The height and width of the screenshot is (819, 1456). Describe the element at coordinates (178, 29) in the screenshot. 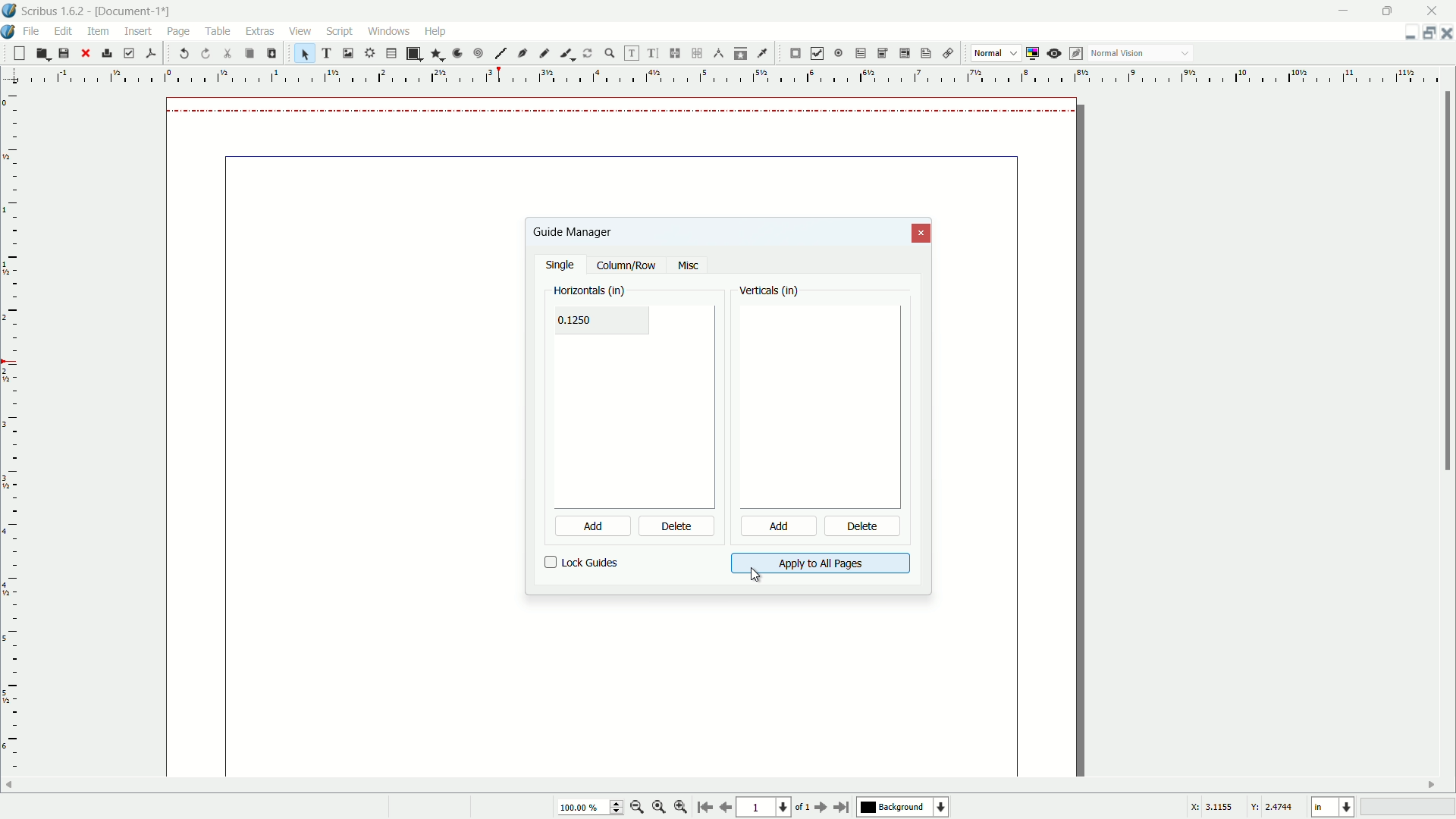

I see `page menu` at that location.